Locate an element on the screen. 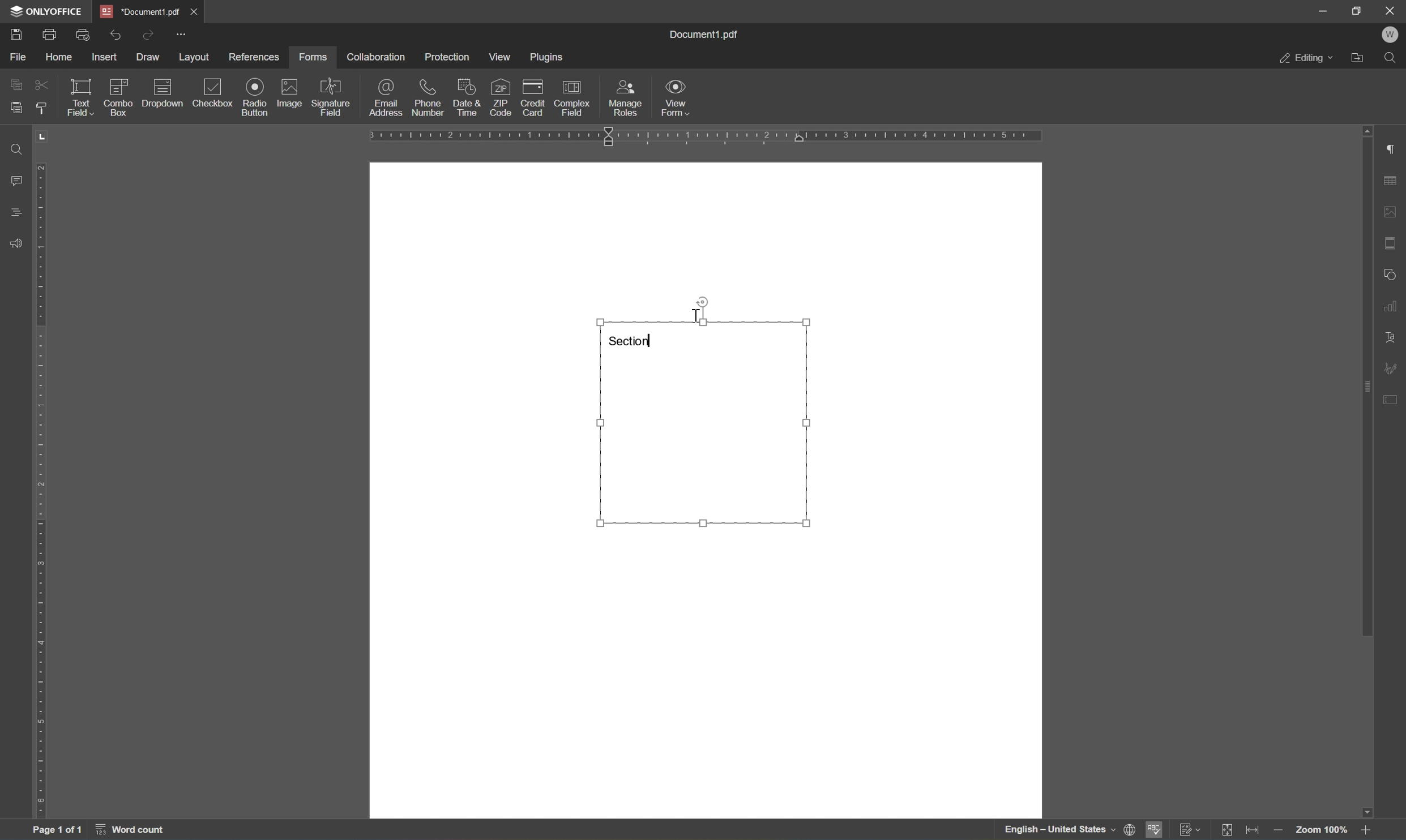  Open file location is located at coordinates (1360, 59).